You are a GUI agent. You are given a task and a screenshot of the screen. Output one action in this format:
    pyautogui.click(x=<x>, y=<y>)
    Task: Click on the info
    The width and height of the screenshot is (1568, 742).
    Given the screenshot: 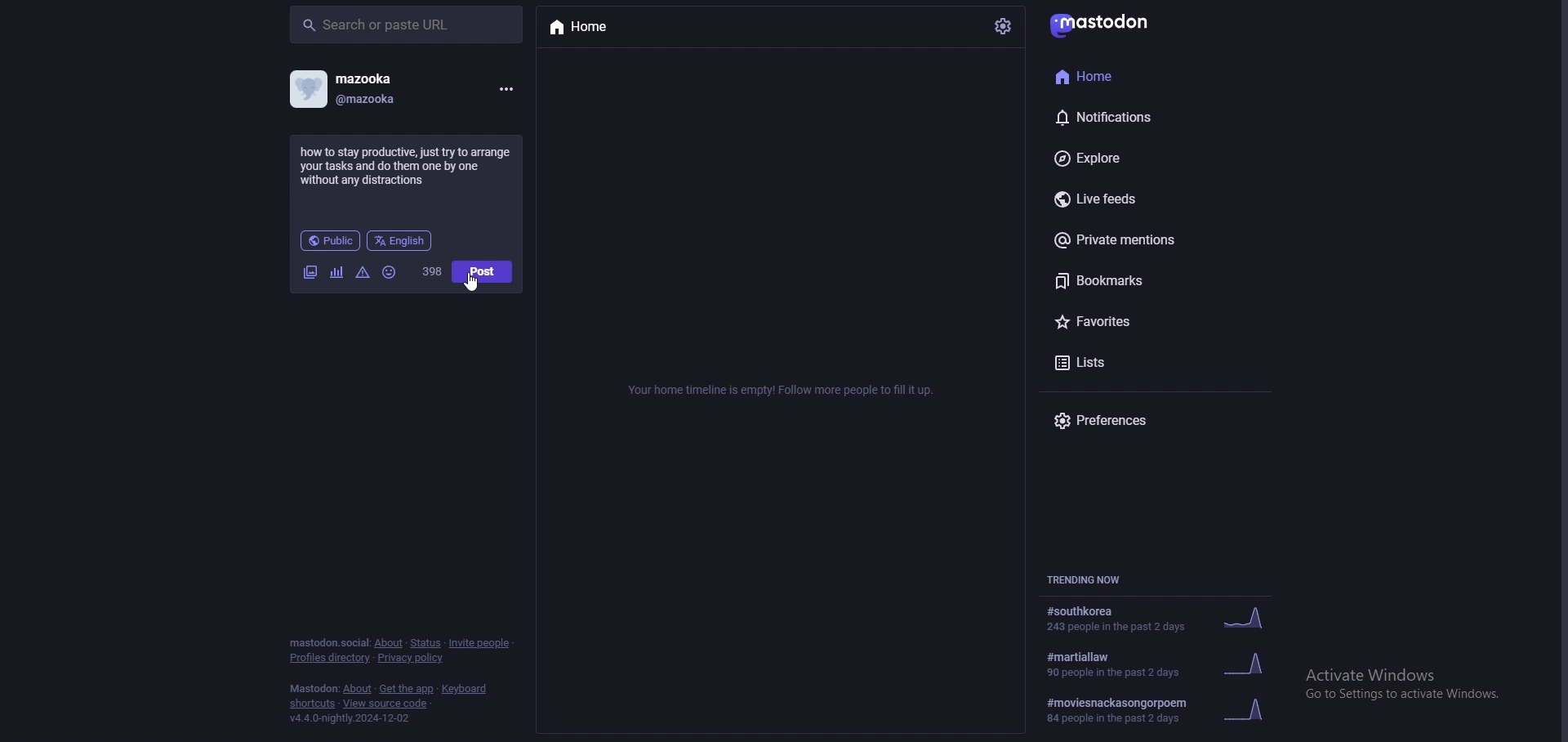 What is the action you would take?
    pyautogui.click(x=786, y=388)
    